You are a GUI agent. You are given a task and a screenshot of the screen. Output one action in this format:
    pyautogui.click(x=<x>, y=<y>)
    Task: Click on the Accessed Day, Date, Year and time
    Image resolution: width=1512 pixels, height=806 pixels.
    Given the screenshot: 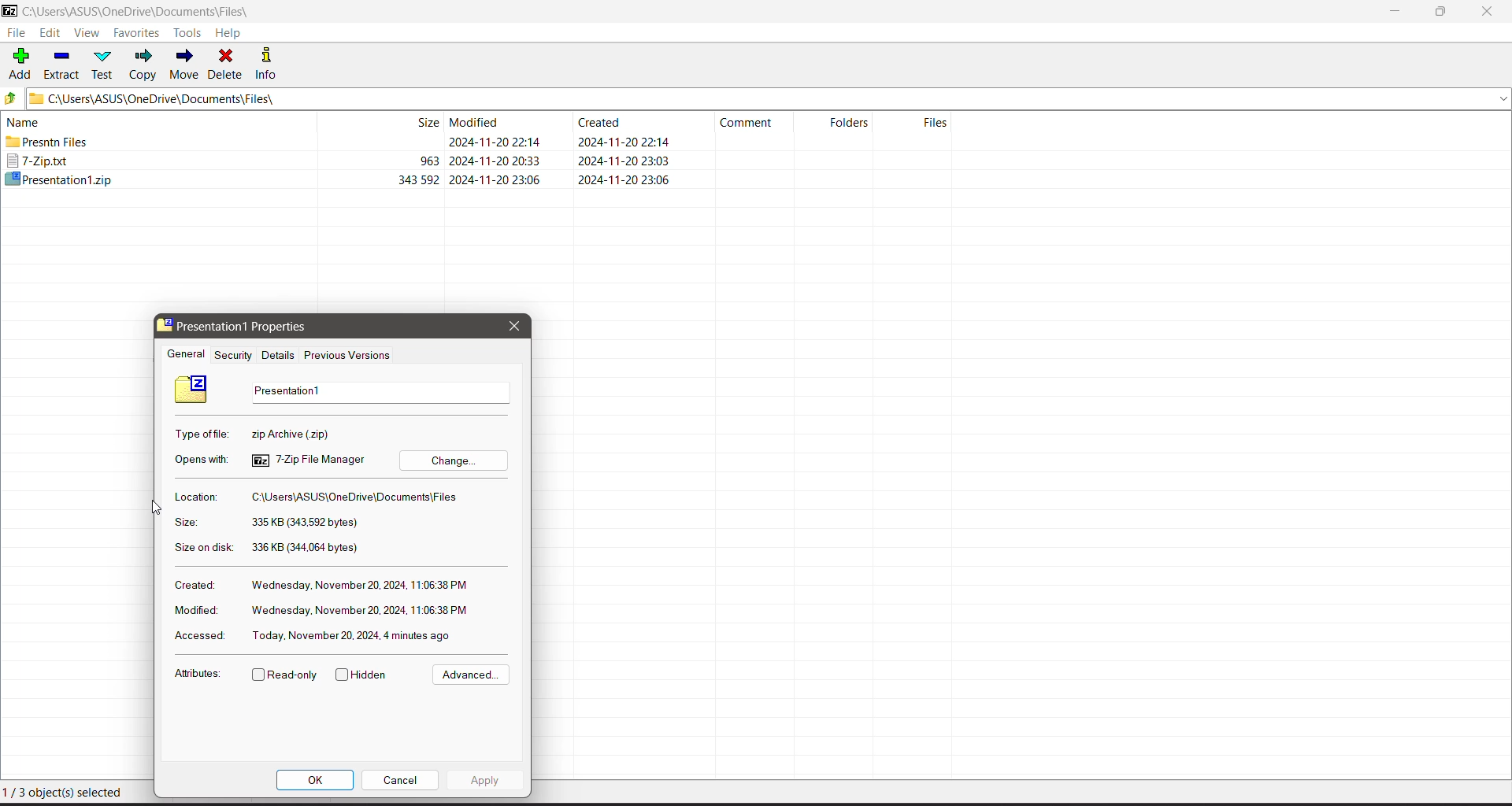 What is the action you would take?
    pyautogui.click(x=354, y=635)
    